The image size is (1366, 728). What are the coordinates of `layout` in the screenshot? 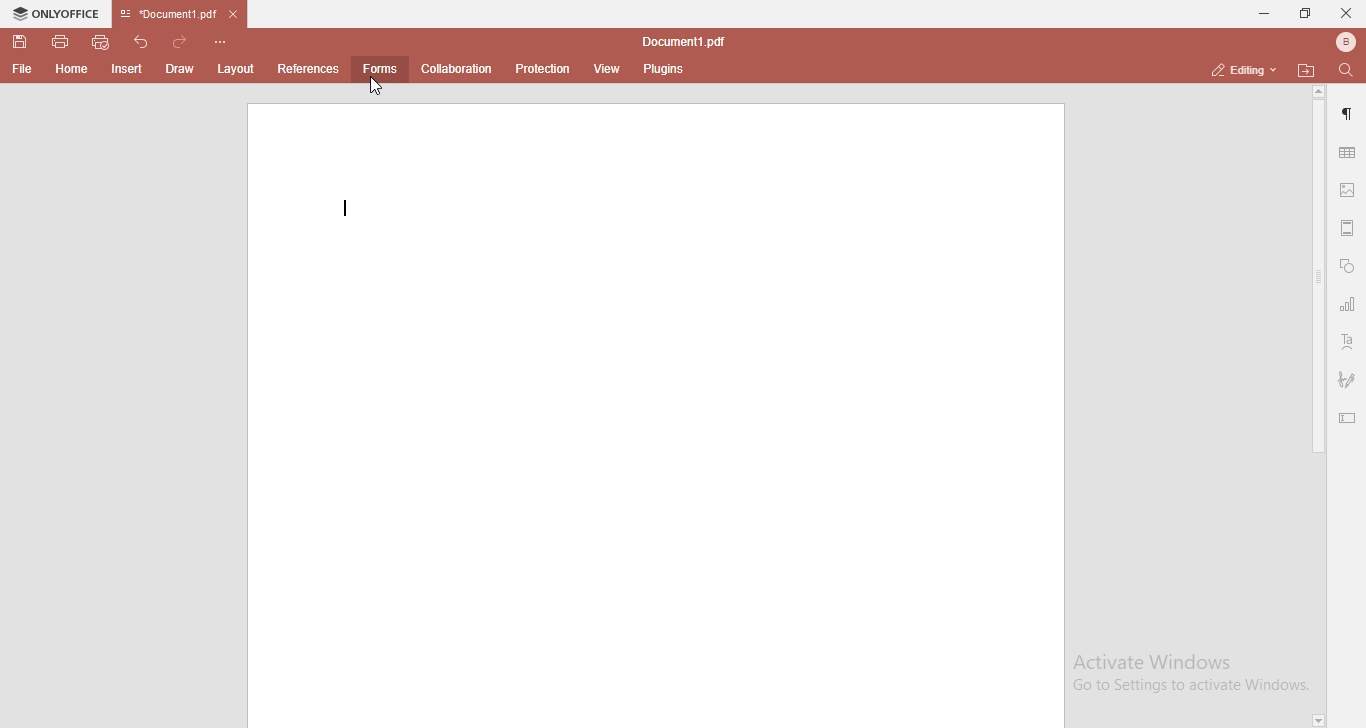 It's located at (239, 69).